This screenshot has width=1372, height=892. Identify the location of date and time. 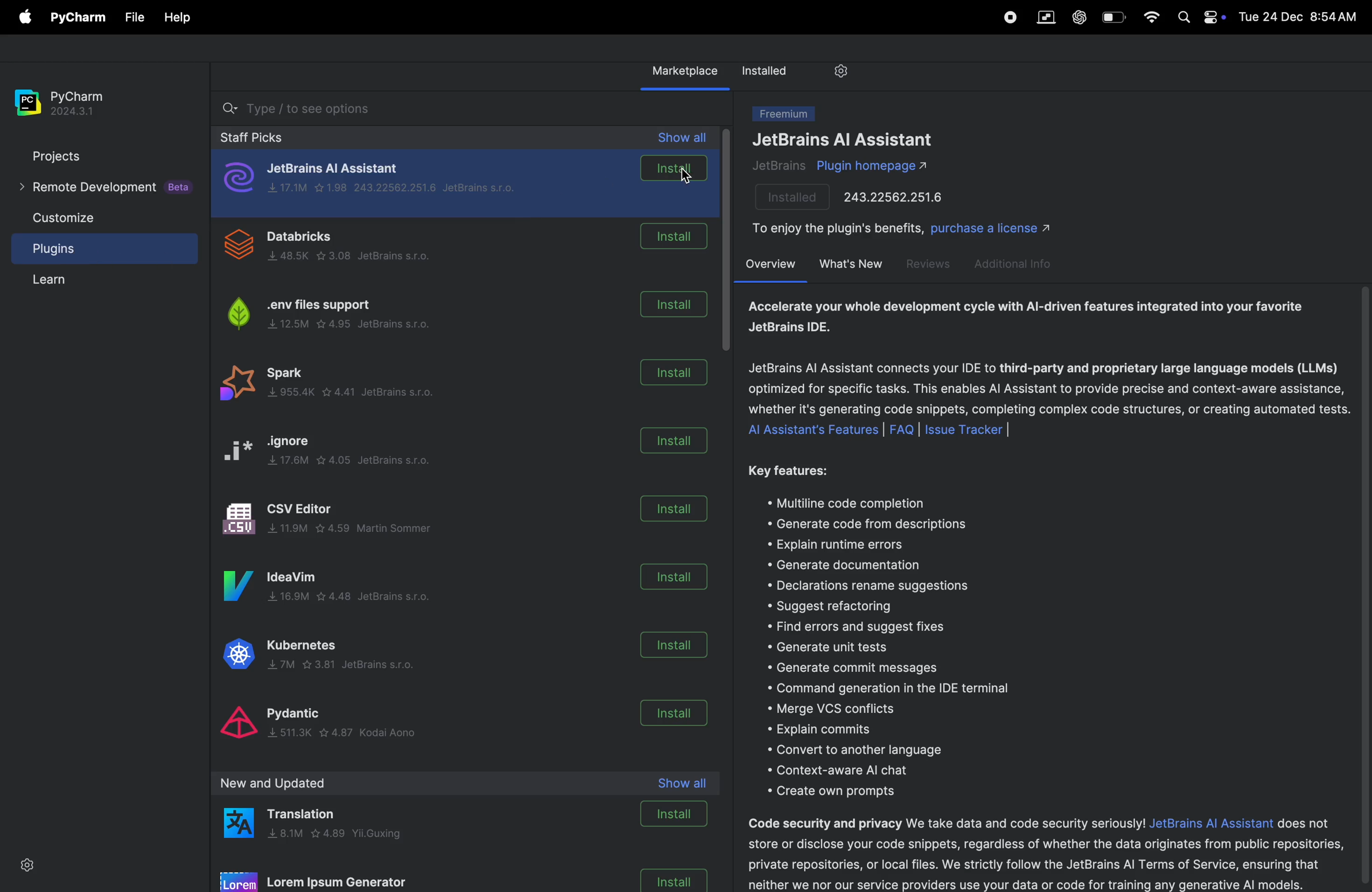
(1299, 18).